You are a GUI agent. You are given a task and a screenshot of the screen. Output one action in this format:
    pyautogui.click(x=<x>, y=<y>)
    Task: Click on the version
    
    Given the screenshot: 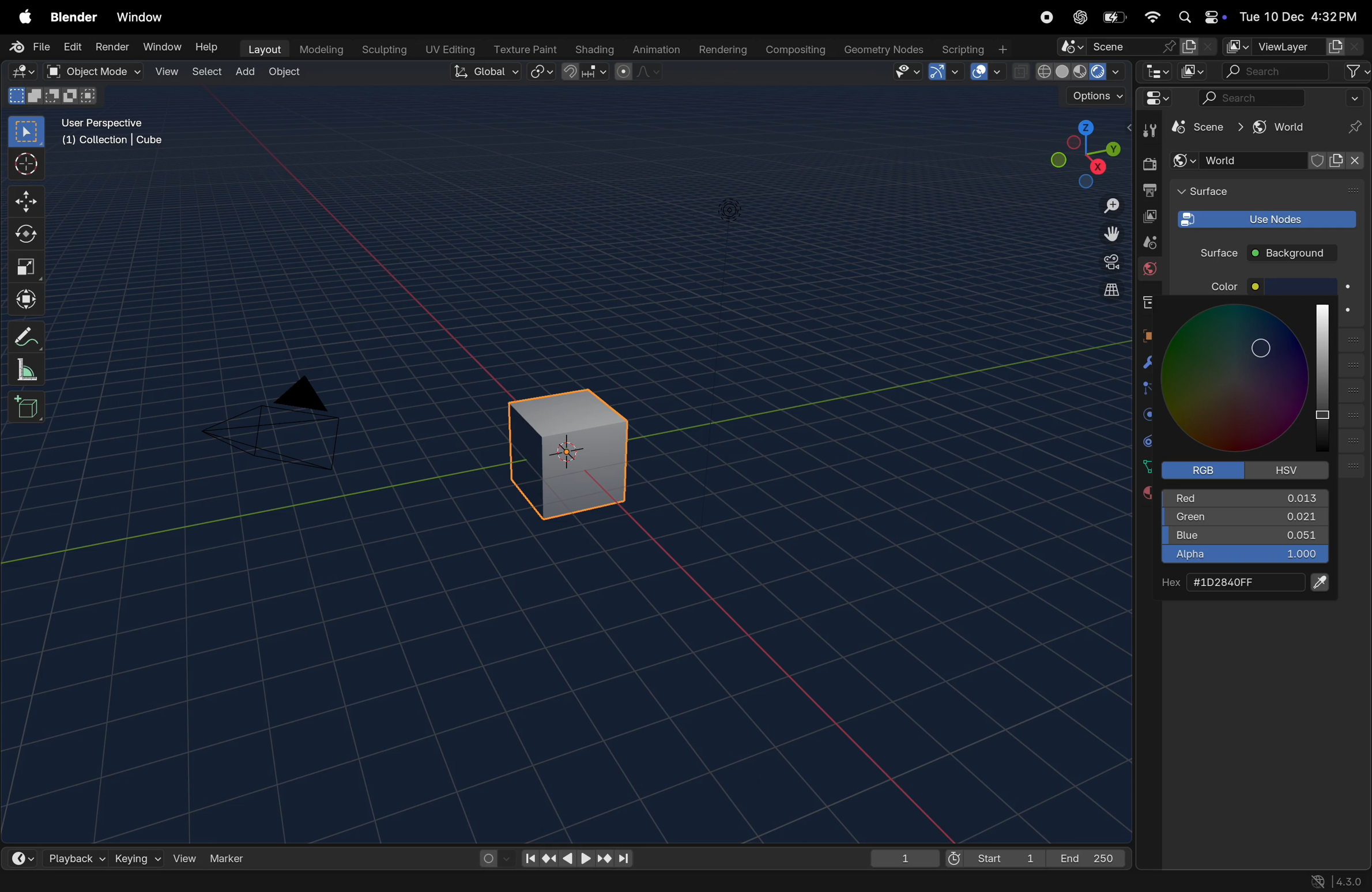 What is the action you would take?
    pyautogui.click(x=1342, y=881)
    